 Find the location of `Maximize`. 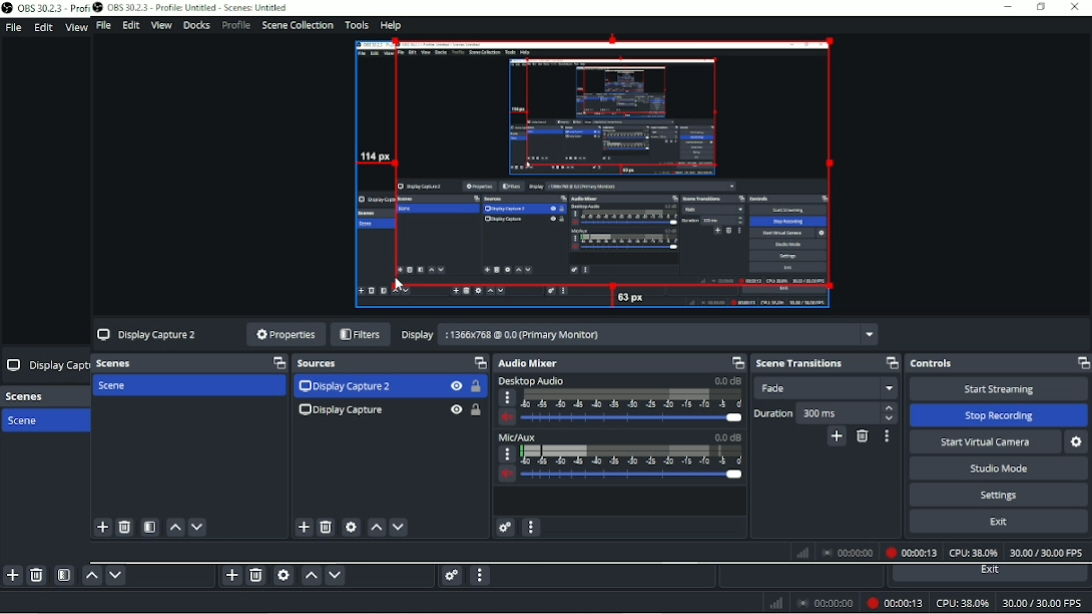

Maximize is located at coordinates (479, 363).